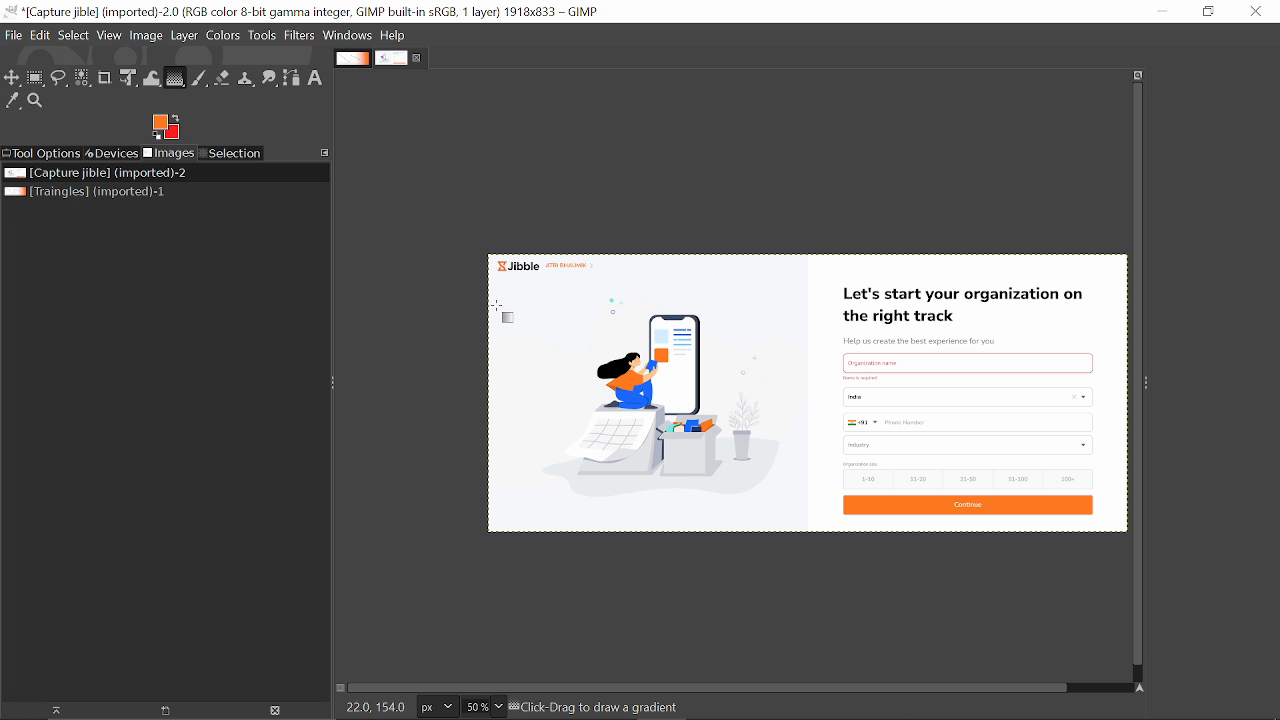  I want to click on Eraser tool, so click(222, 78).